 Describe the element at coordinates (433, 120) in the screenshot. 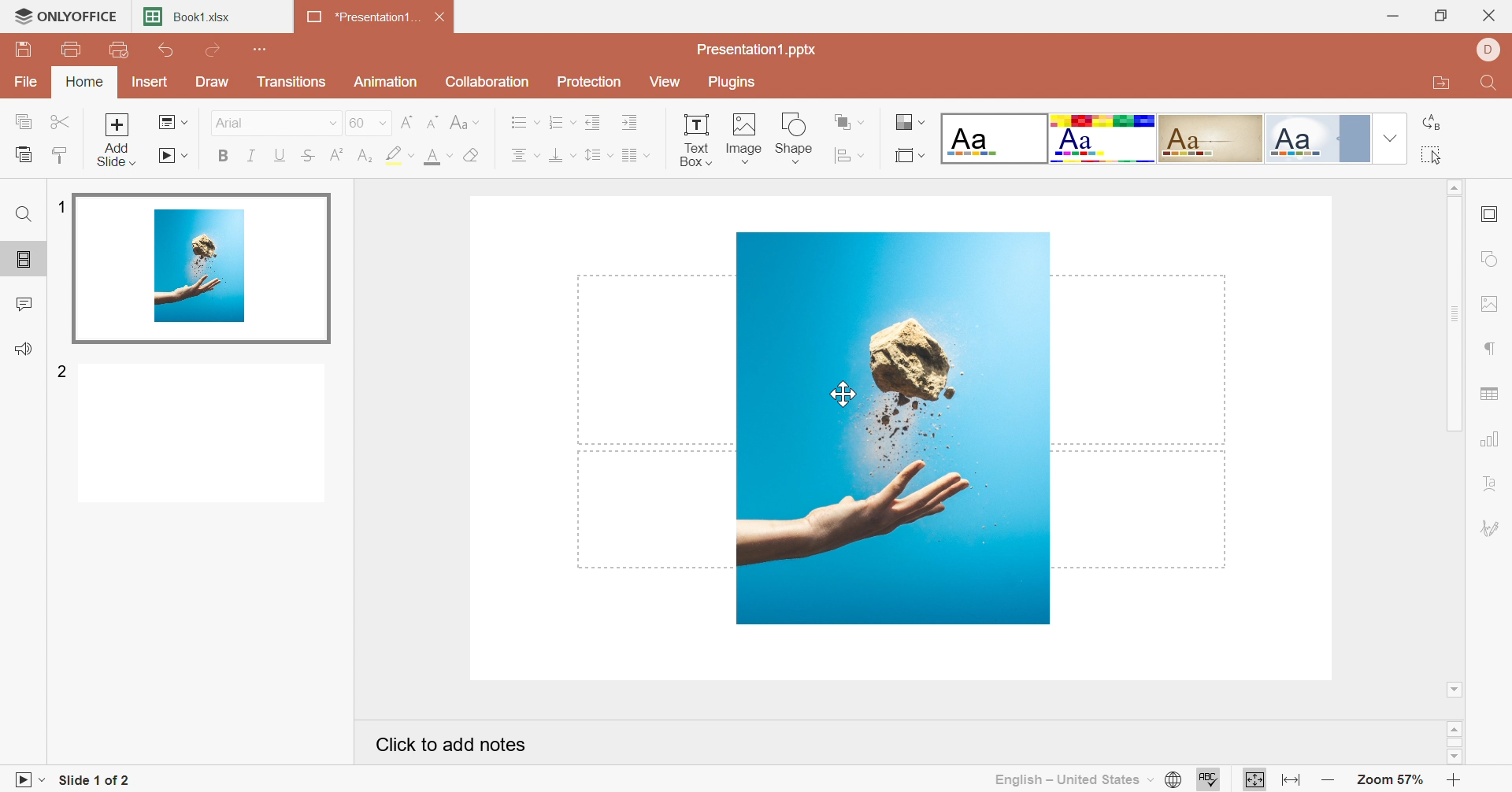

I see `Decrement font size` at that location.